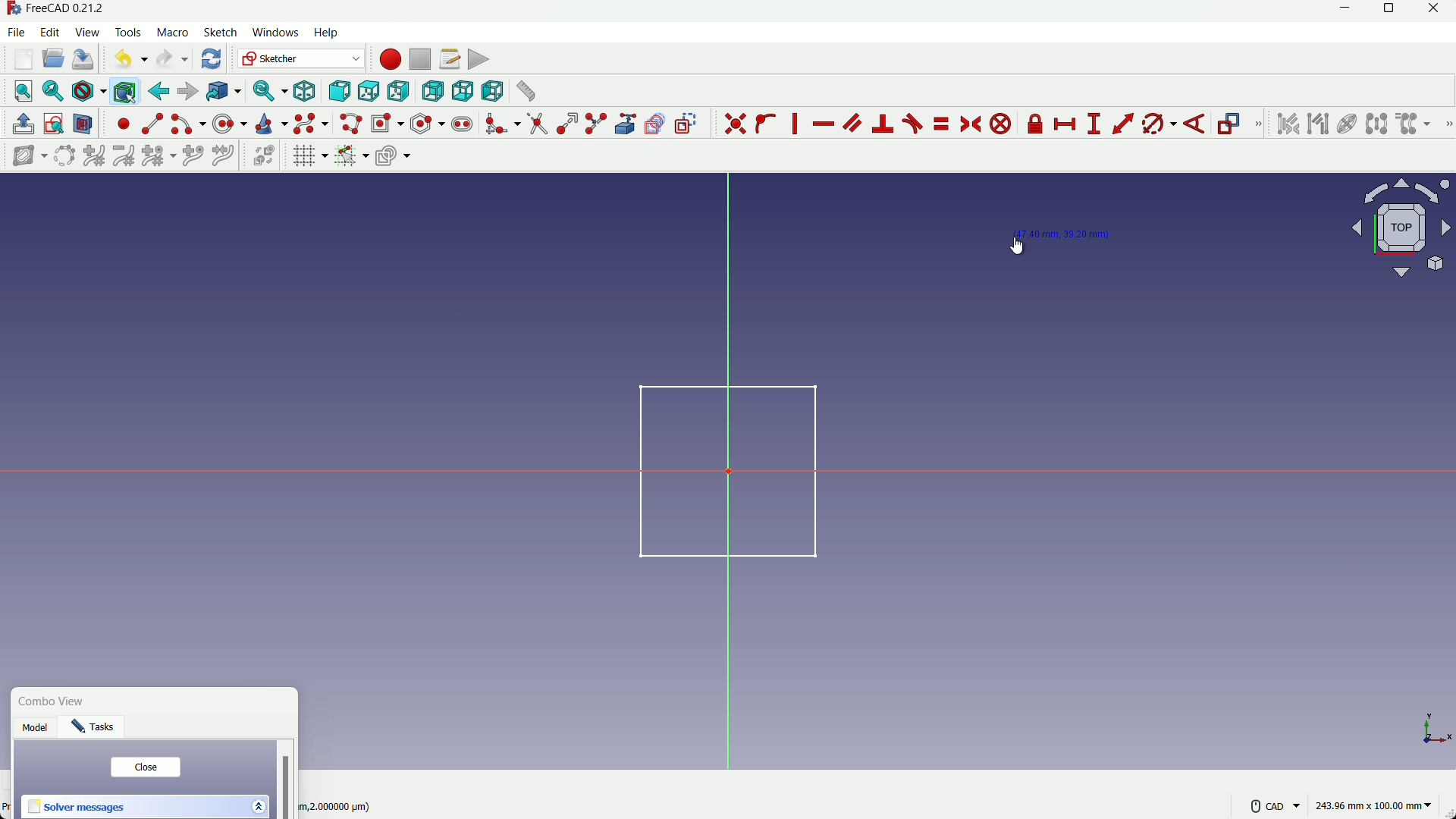 Image resolution: width=1456 pixels, height=819 pixels. Describe the element at coordinates (23, 90) in the screenshot. I see `select all` at that location.